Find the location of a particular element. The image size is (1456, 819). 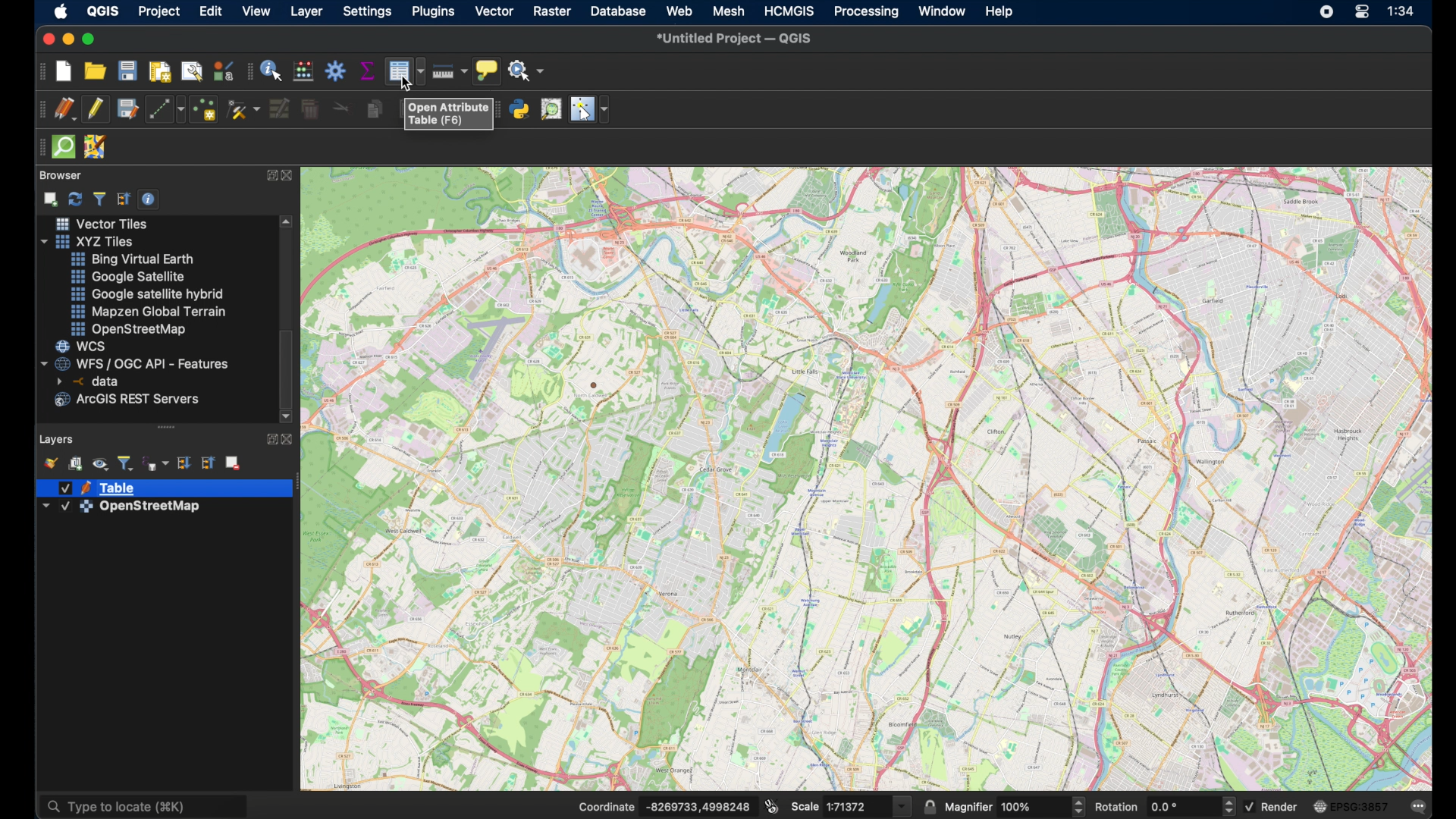

show statistical summary is located at coordinates (369, 71).